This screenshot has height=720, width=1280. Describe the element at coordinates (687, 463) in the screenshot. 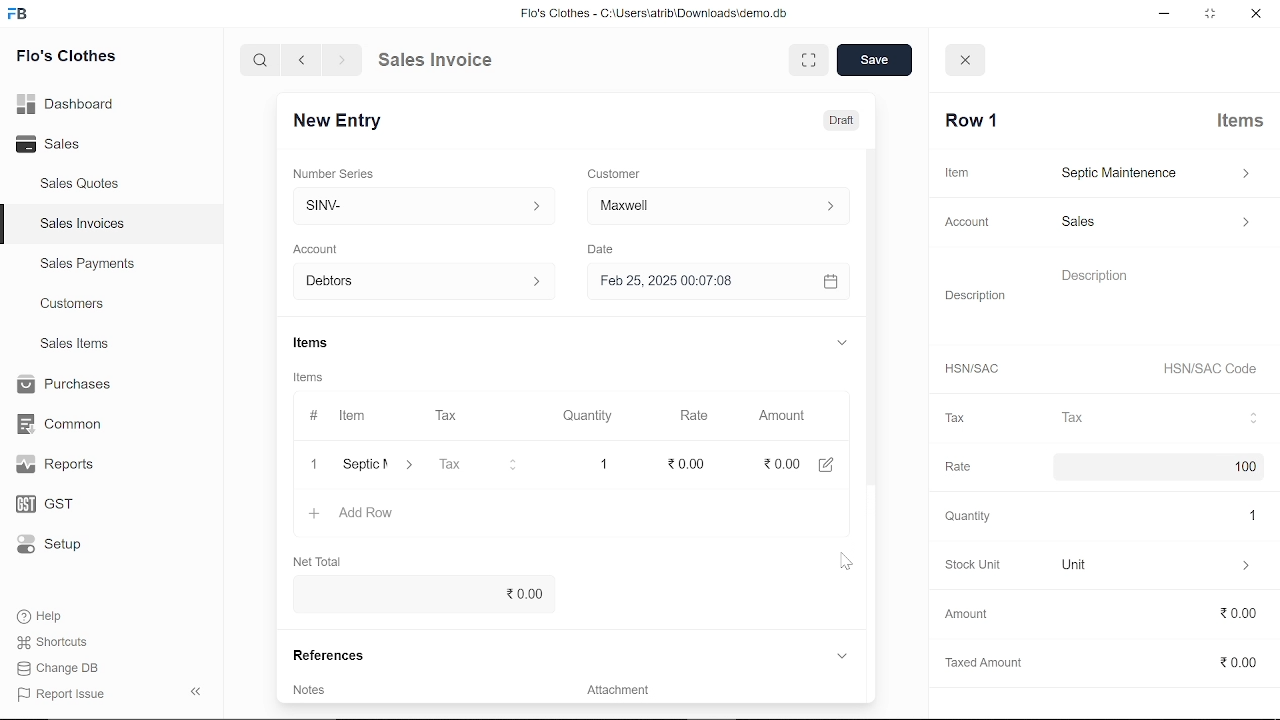

I see `edit rate` at that location.